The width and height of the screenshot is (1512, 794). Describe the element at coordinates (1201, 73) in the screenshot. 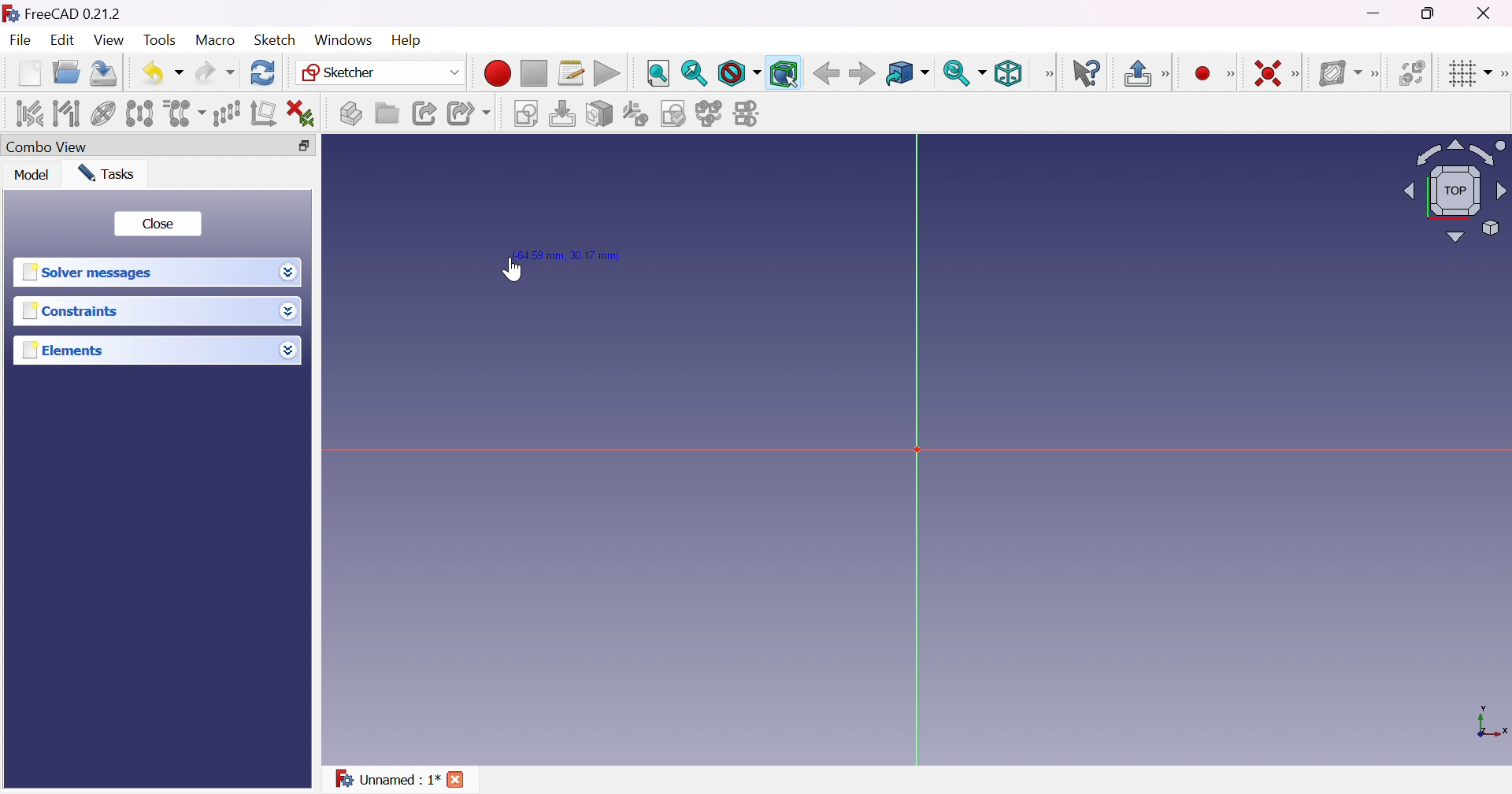

I see `Create point` at that location.